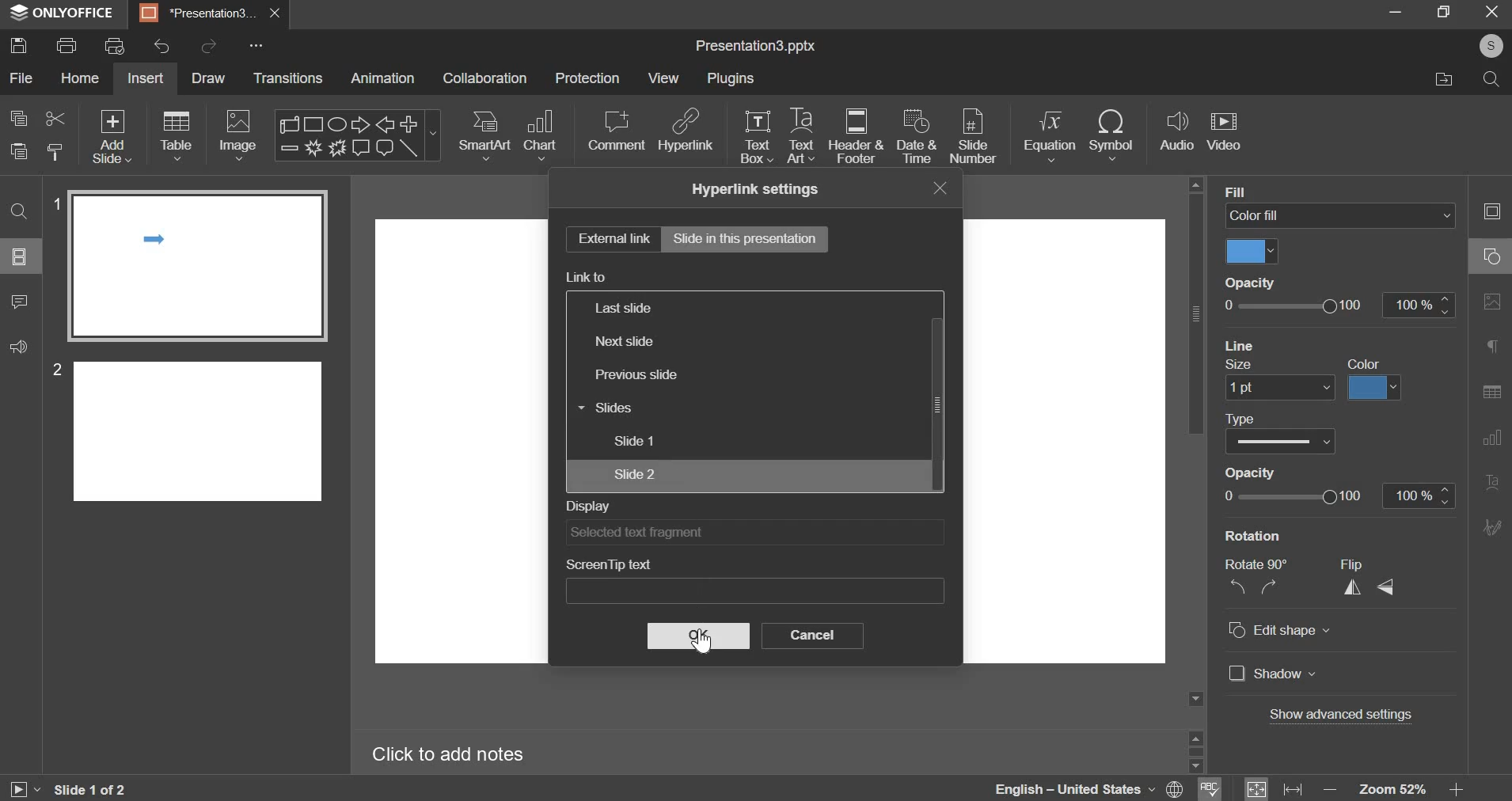  I want to click on equation, so click(1049, 135).